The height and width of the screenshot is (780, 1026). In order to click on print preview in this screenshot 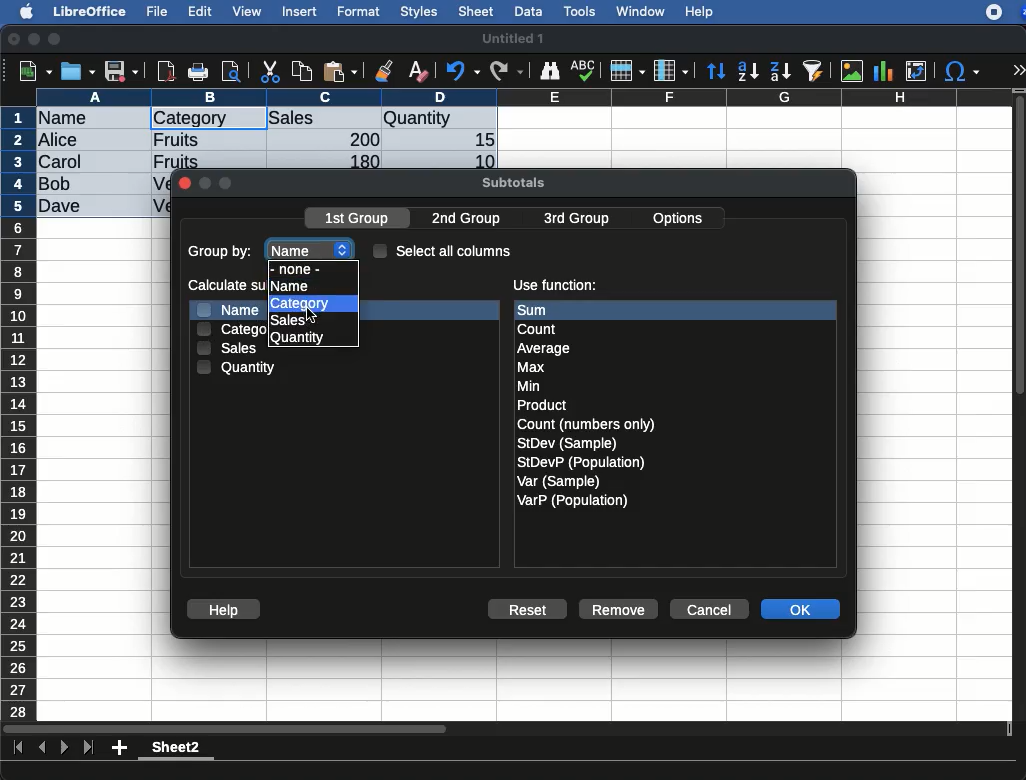, I will do `click(231, 73)`.